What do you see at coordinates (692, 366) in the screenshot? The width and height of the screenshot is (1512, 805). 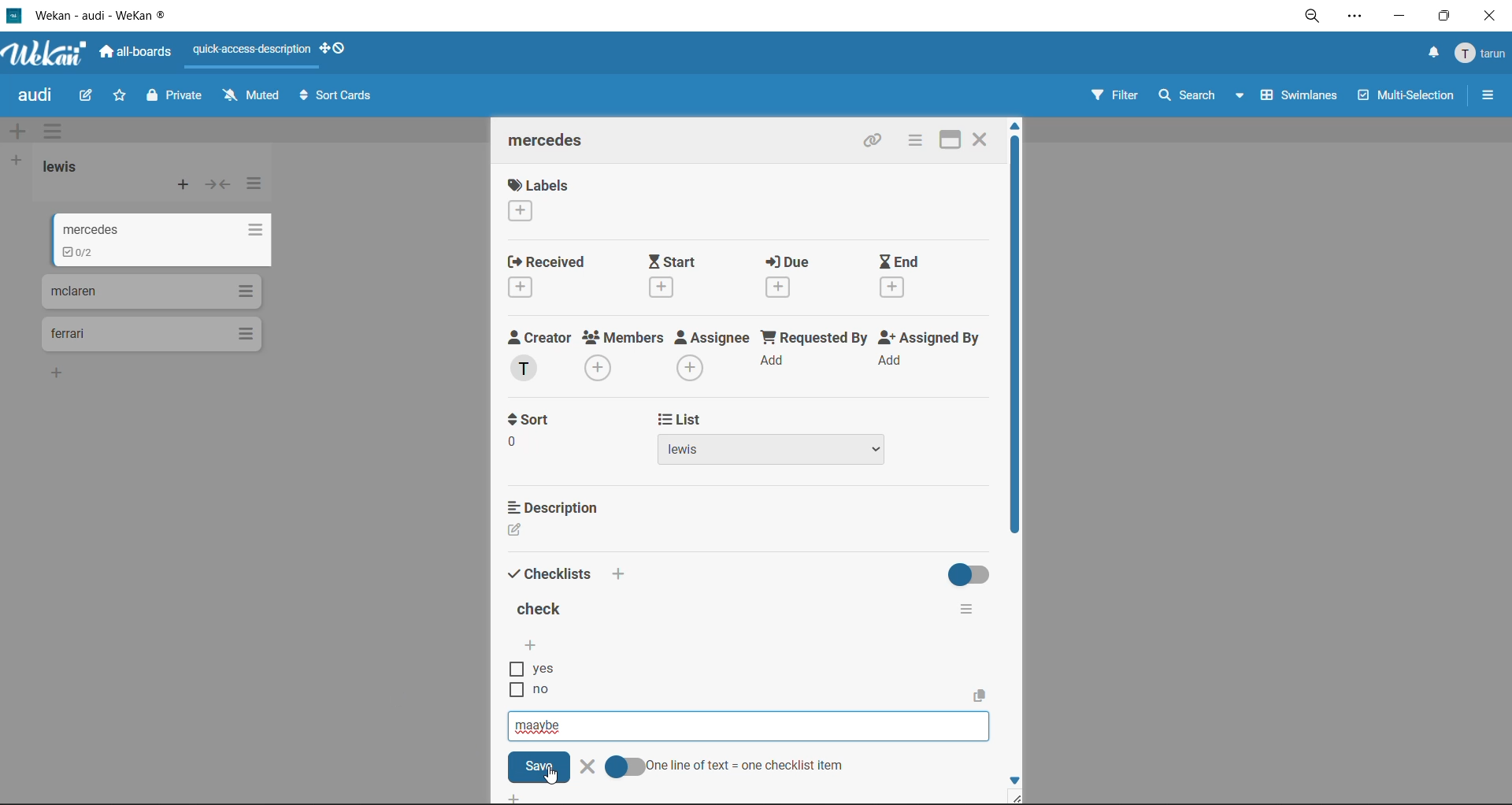 I see `Add Assignee` at bounding box center [692, 366].